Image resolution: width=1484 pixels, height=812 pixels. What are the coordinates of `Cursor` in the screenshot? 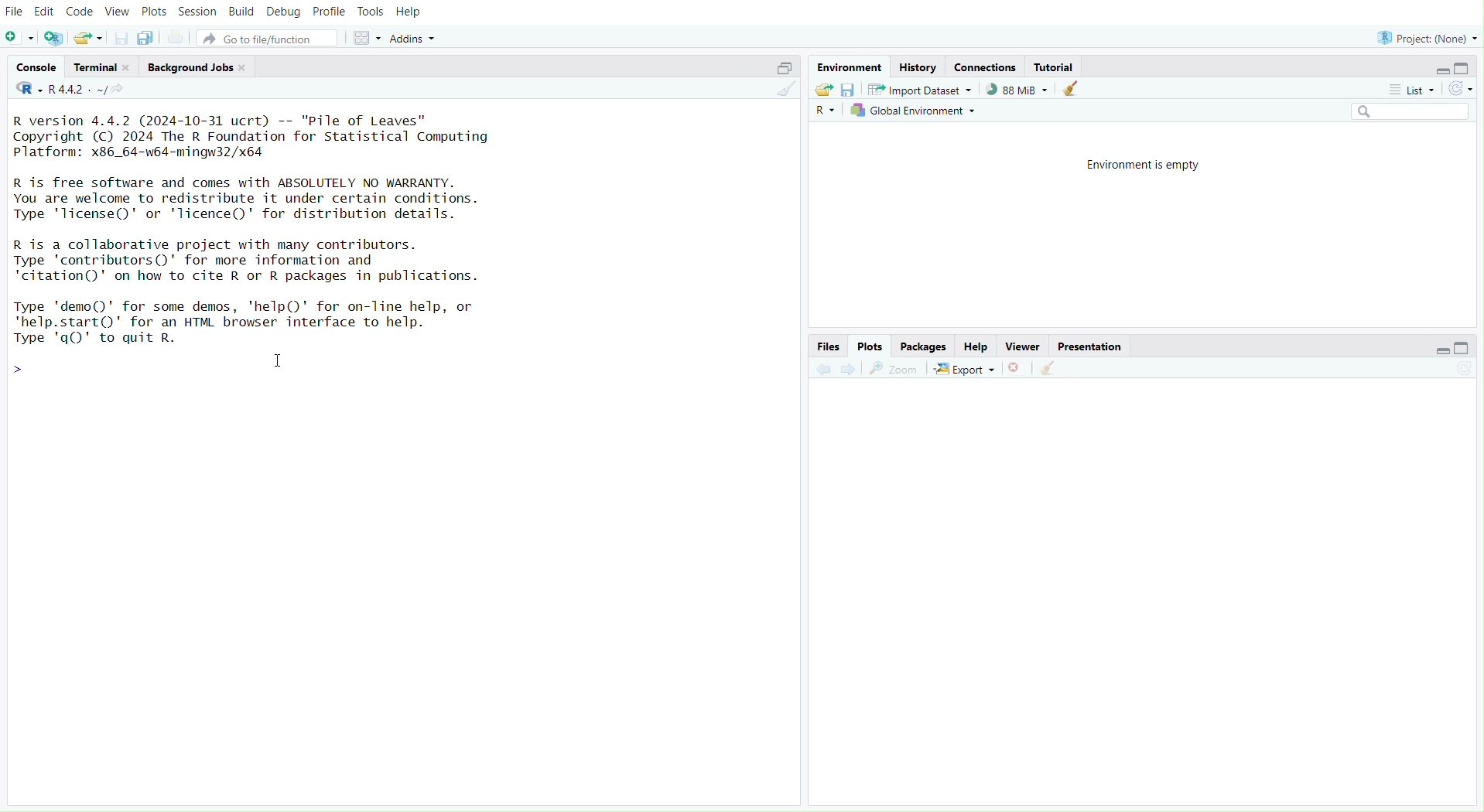 It's located at (283, 363).